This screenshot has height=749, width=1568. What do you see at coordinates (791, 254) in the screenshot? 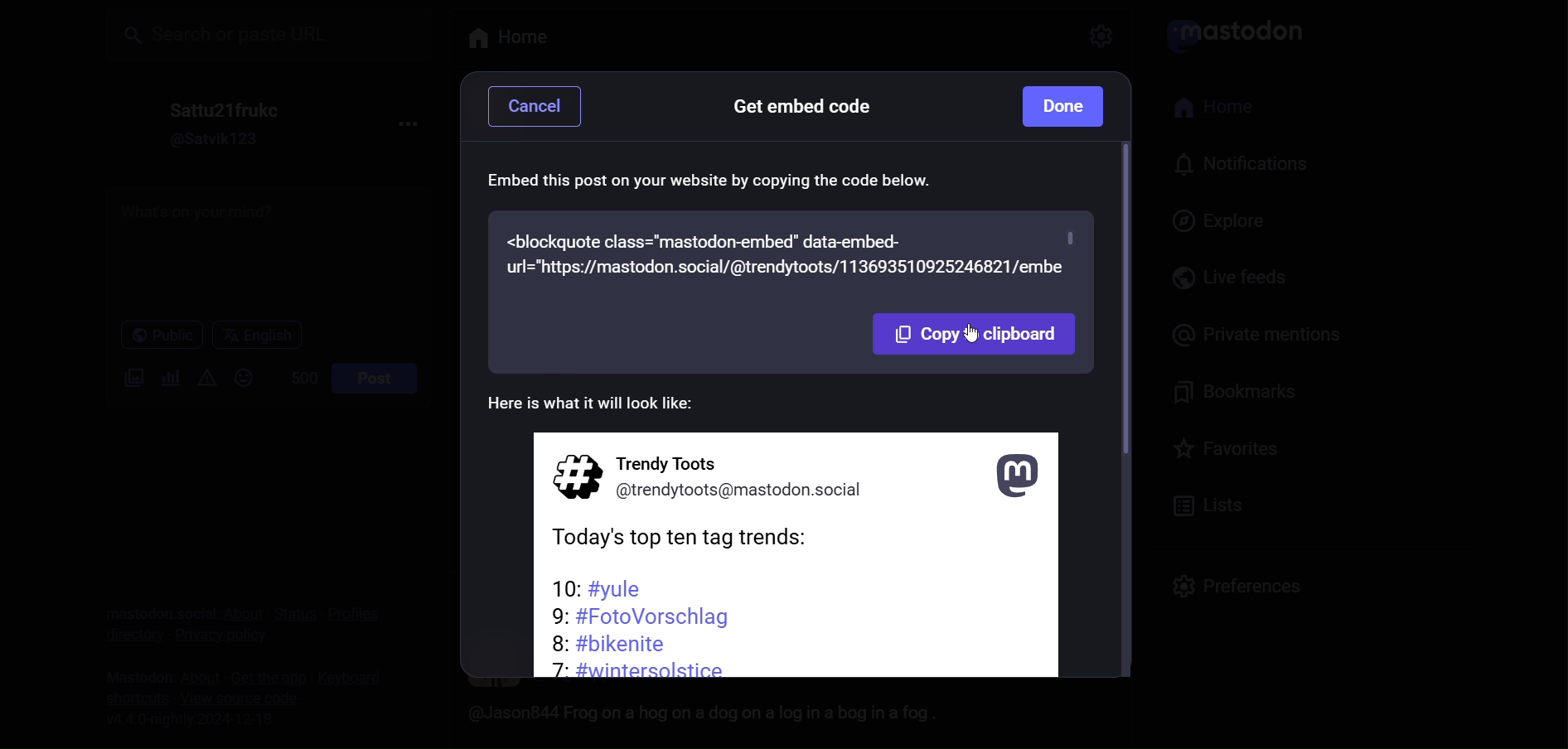
I see `embed code` at bounding box center [791, 254].